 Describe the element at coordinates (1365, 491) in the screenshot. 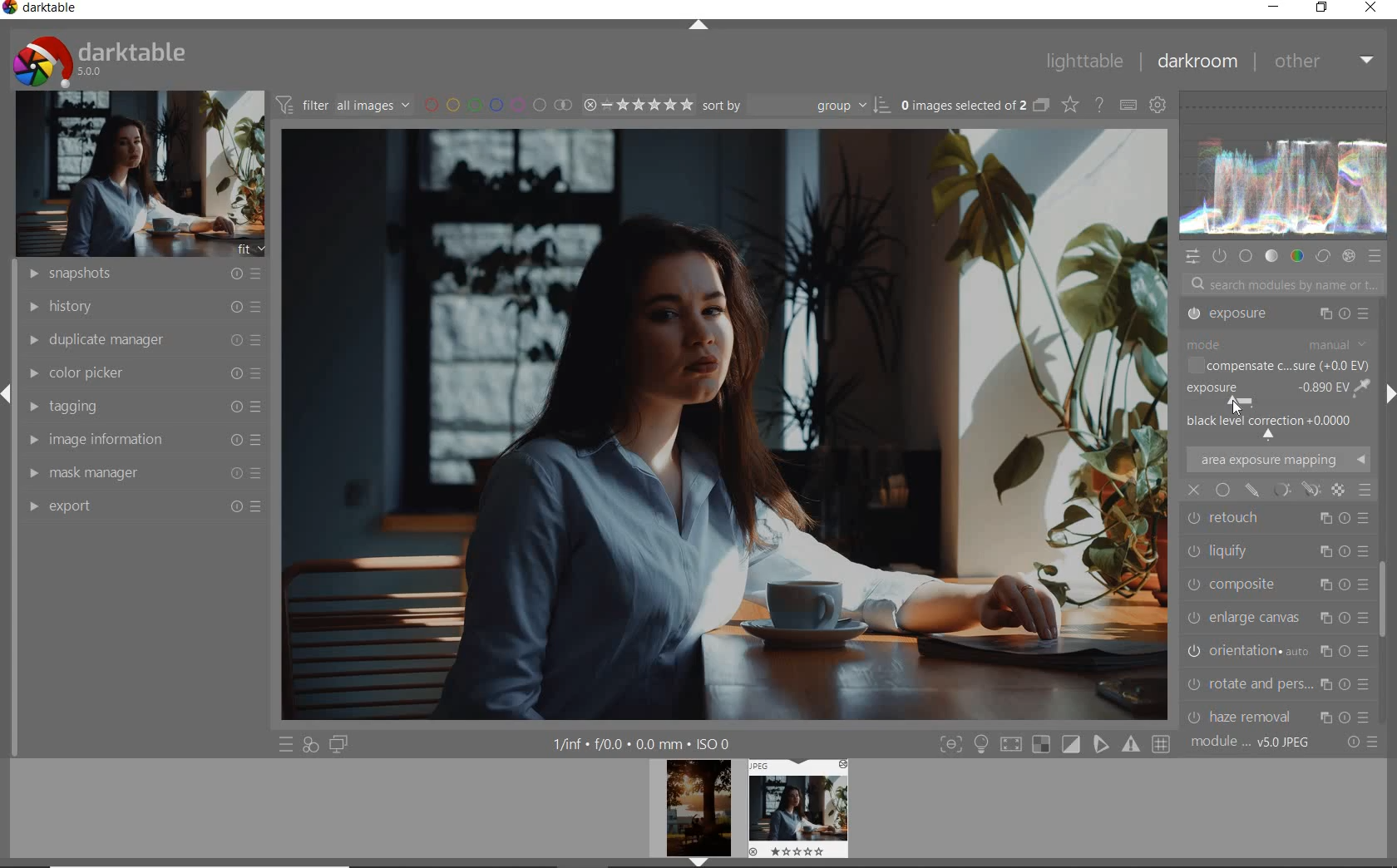

I see `blending options` at that location.